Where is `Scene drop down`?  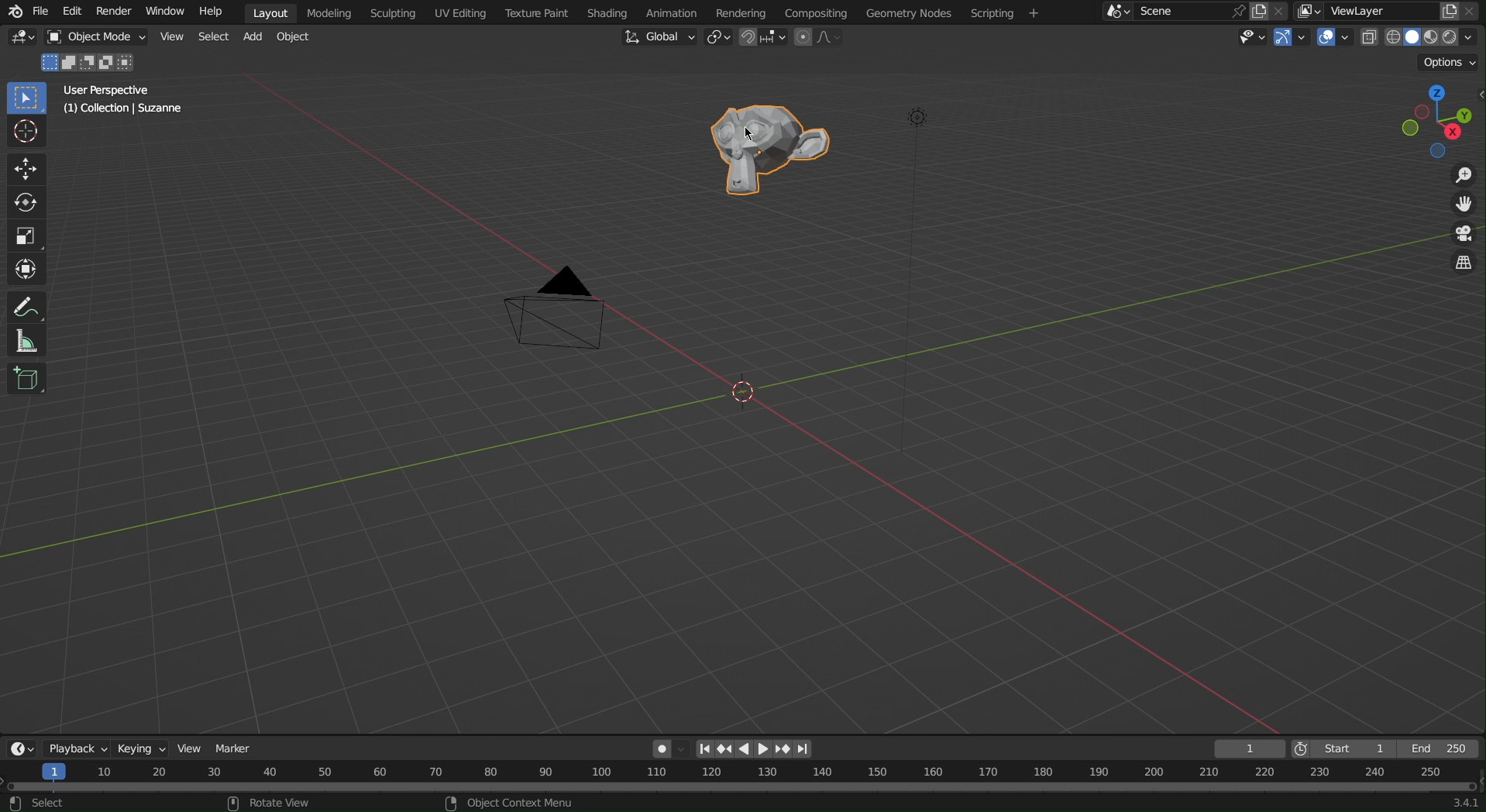
Scene drop down is located at coordinates (1116, 12).